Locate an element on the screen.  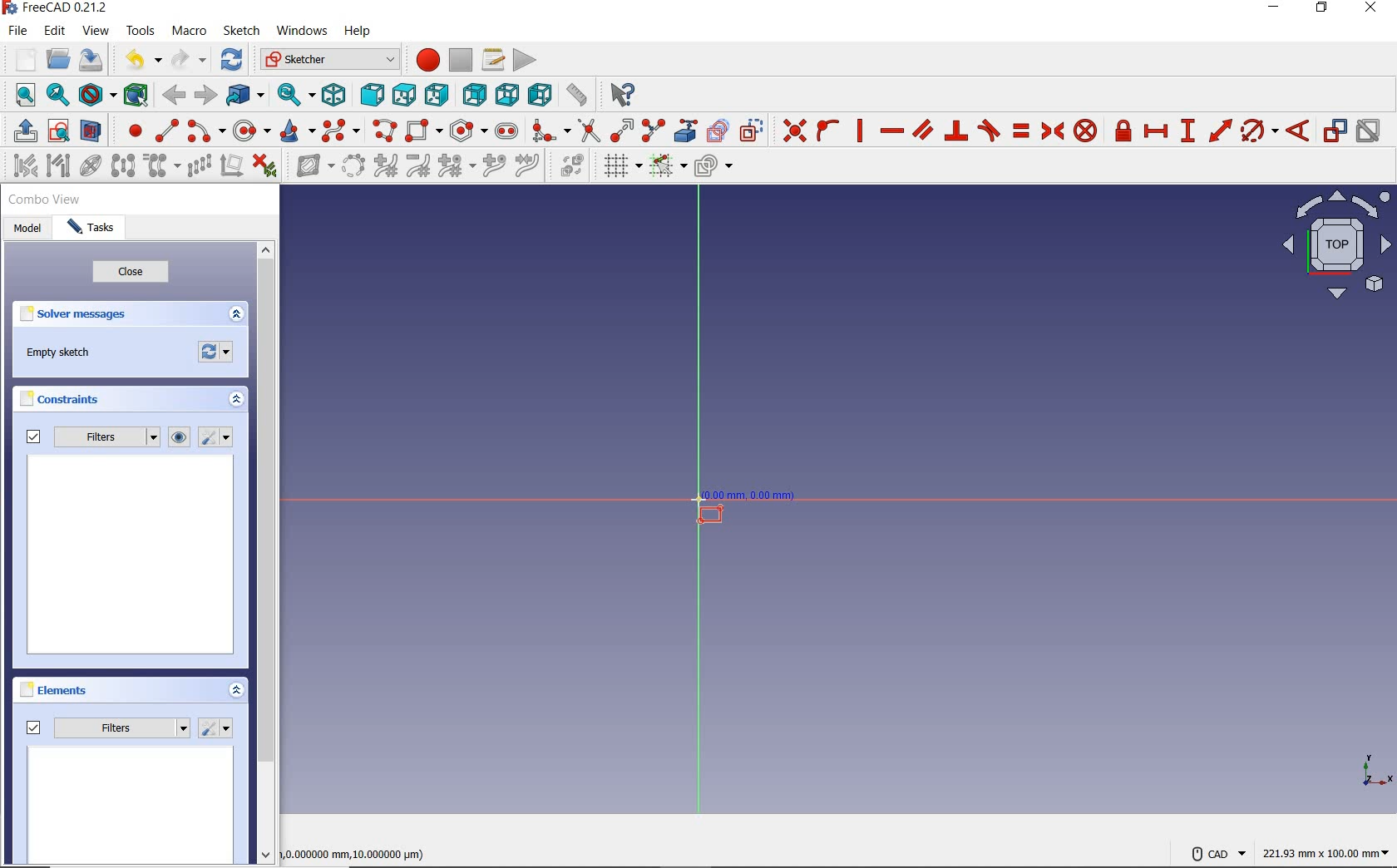
solver messages is located at coordinates (101, 315).